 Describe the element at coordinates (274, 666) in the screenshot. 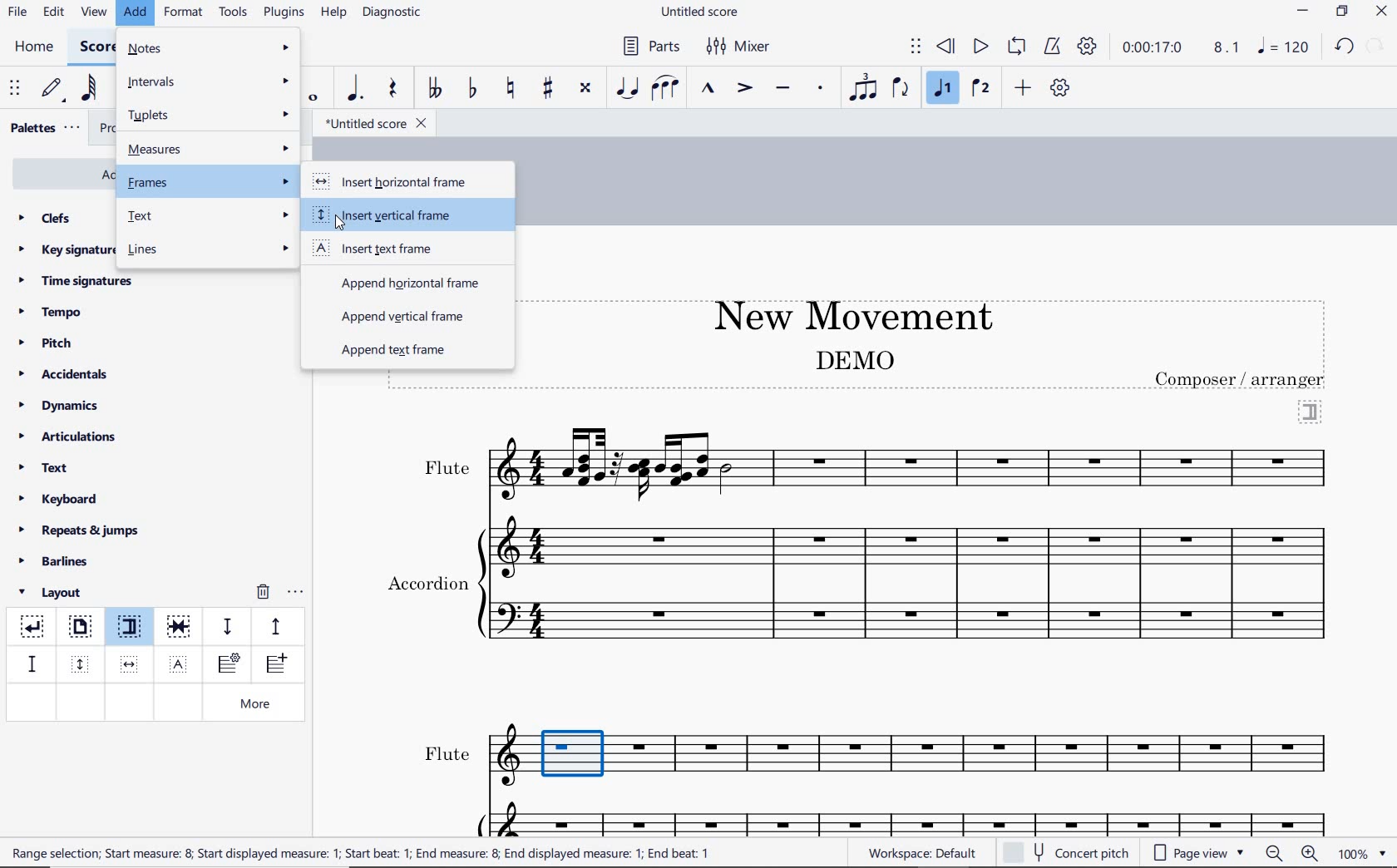

I see `insert one measure before selection` at that location.